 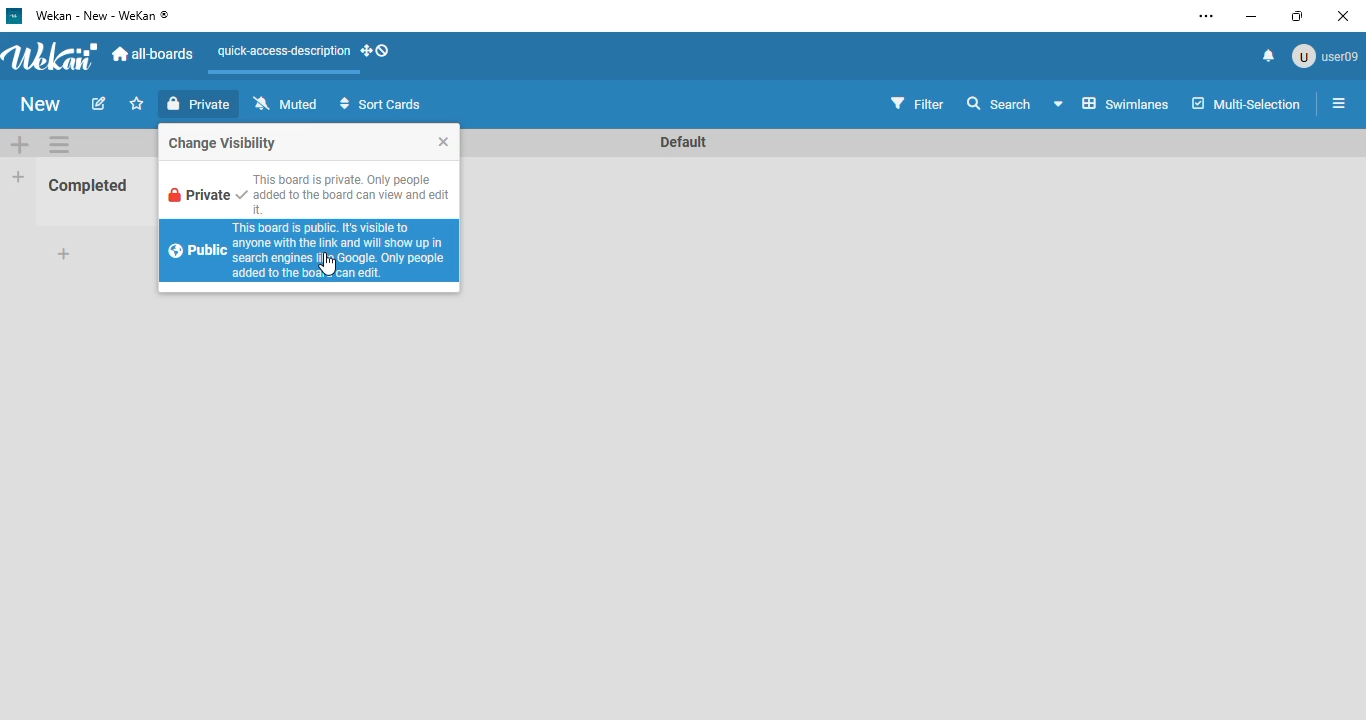 I want to click on add card to bottom of list, so click(x=65, y=256).